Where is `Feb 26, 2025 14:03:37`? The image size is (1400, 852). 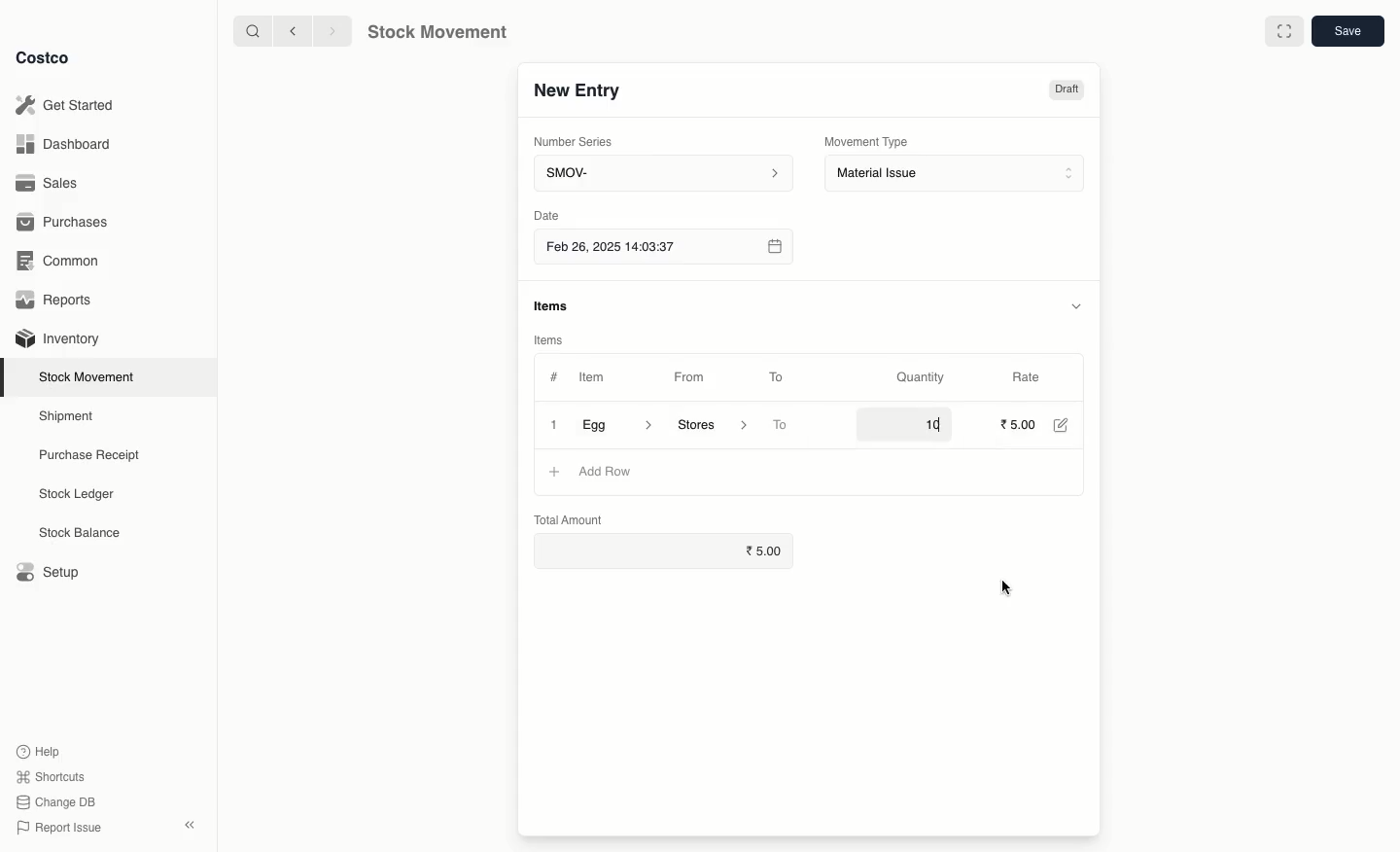 Feb 26, 2025 14:03:37 is located at coordinates (662, 248).